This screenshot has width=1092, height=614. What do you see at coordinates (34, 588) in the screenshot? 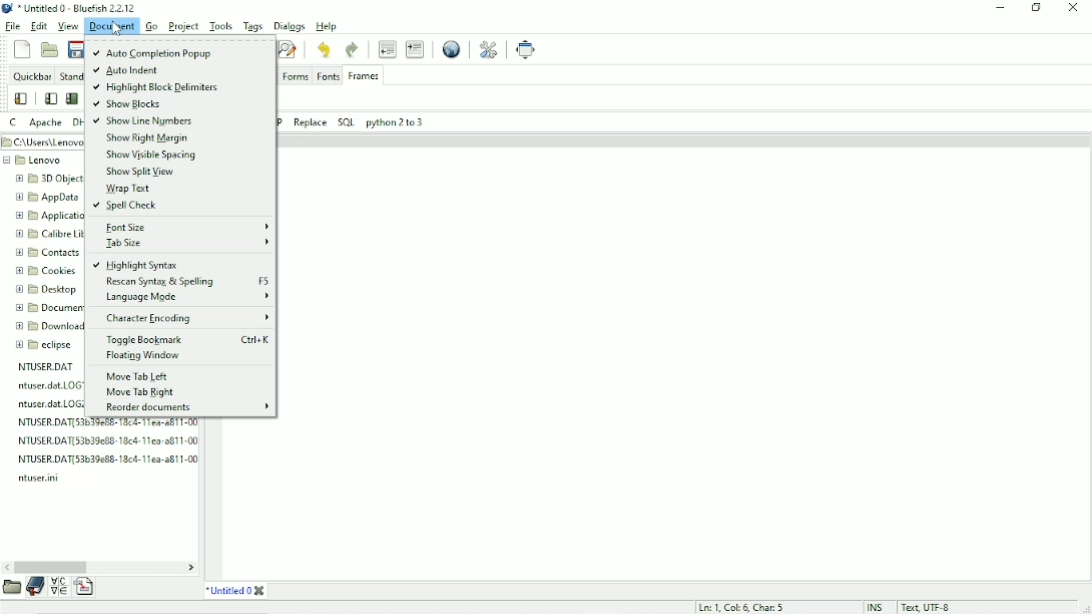
I see `Bookmark` at bounding box center [34, 588].